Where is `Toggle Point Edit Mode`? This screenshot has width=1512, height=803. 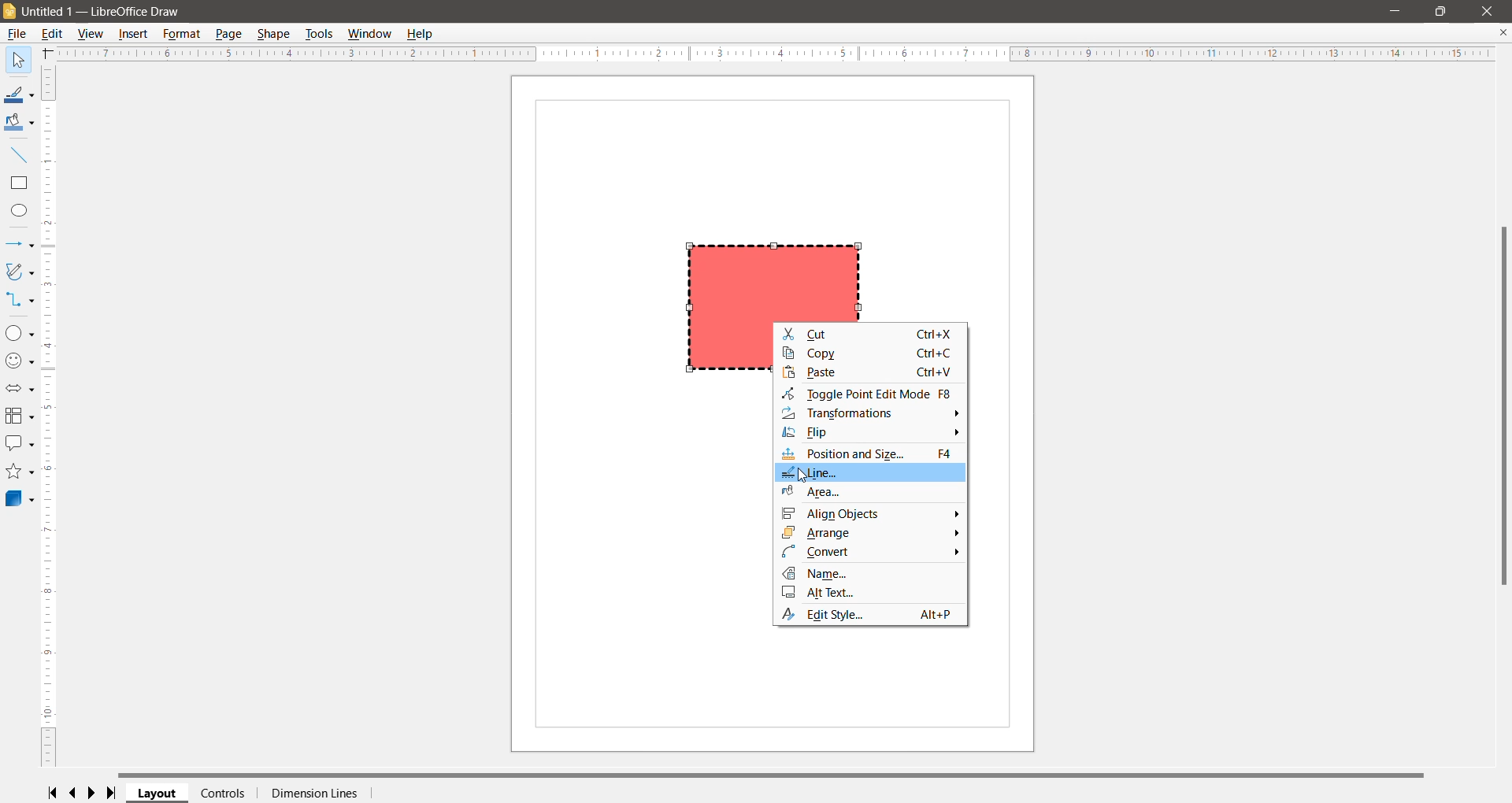
Toggle Point Edit Mode is located at coordinates (869, 394).